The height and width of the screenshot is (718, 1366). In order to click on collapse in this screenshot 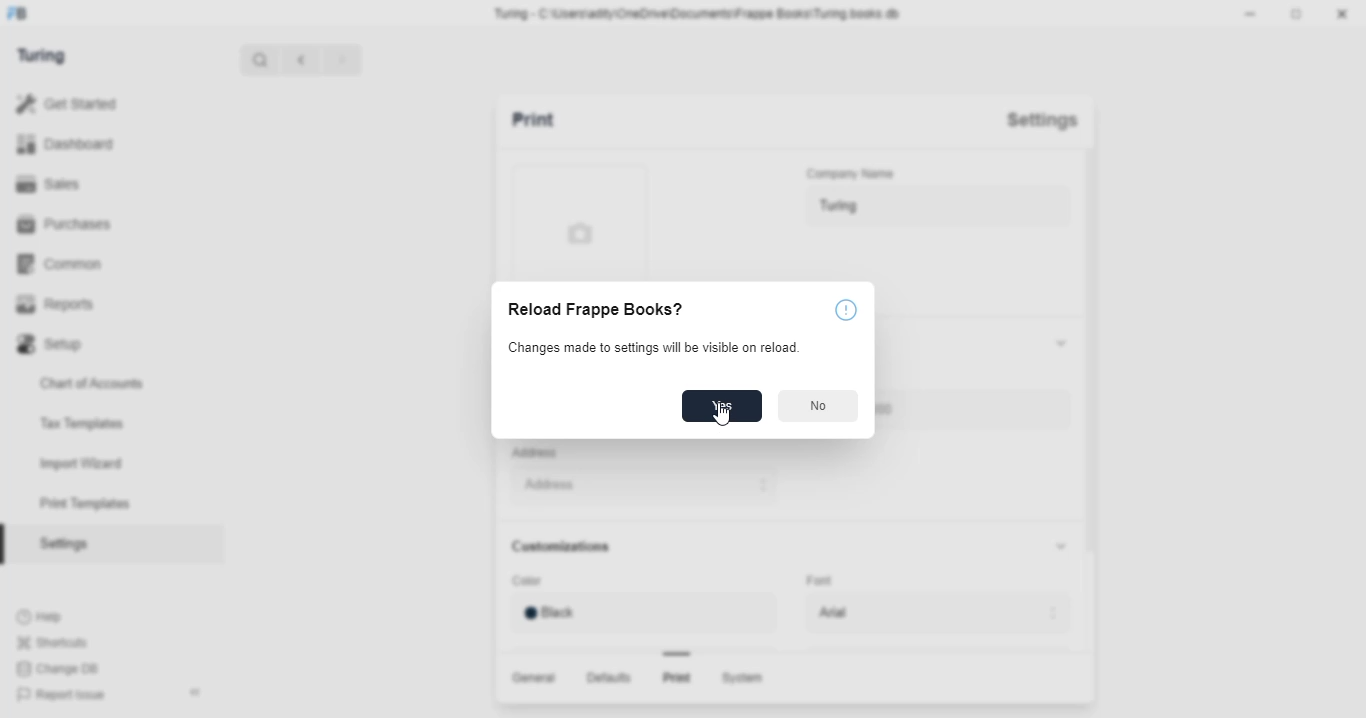, I will do `click(1062, 342)`.